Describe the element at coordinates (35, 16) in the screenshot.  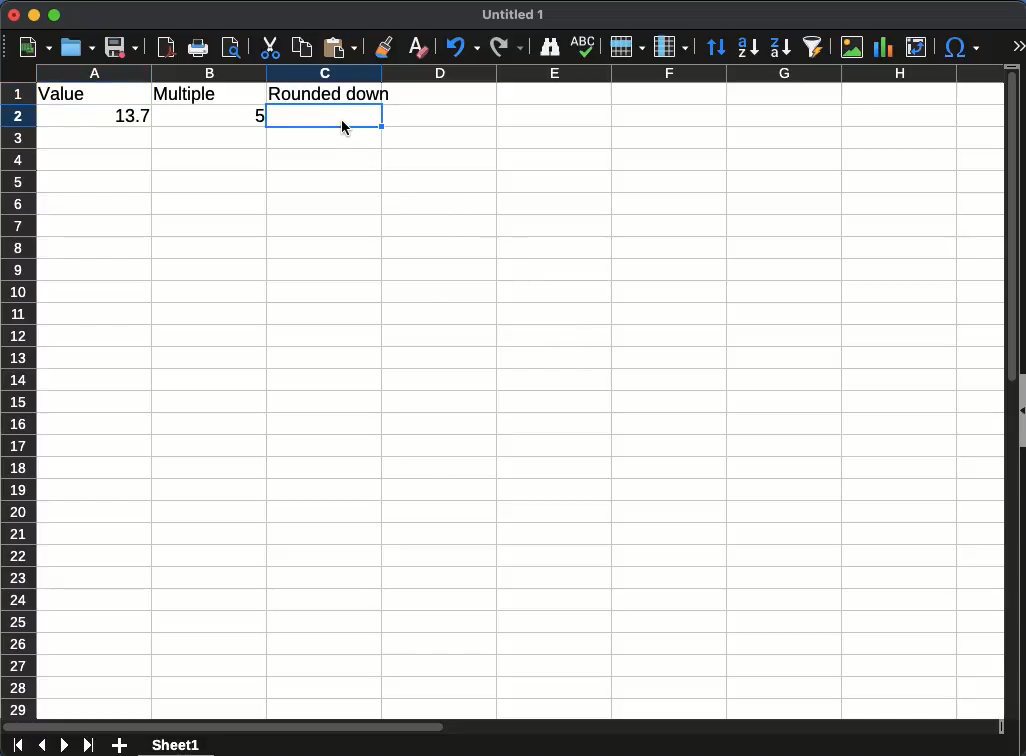
I see `minimize` at that location.